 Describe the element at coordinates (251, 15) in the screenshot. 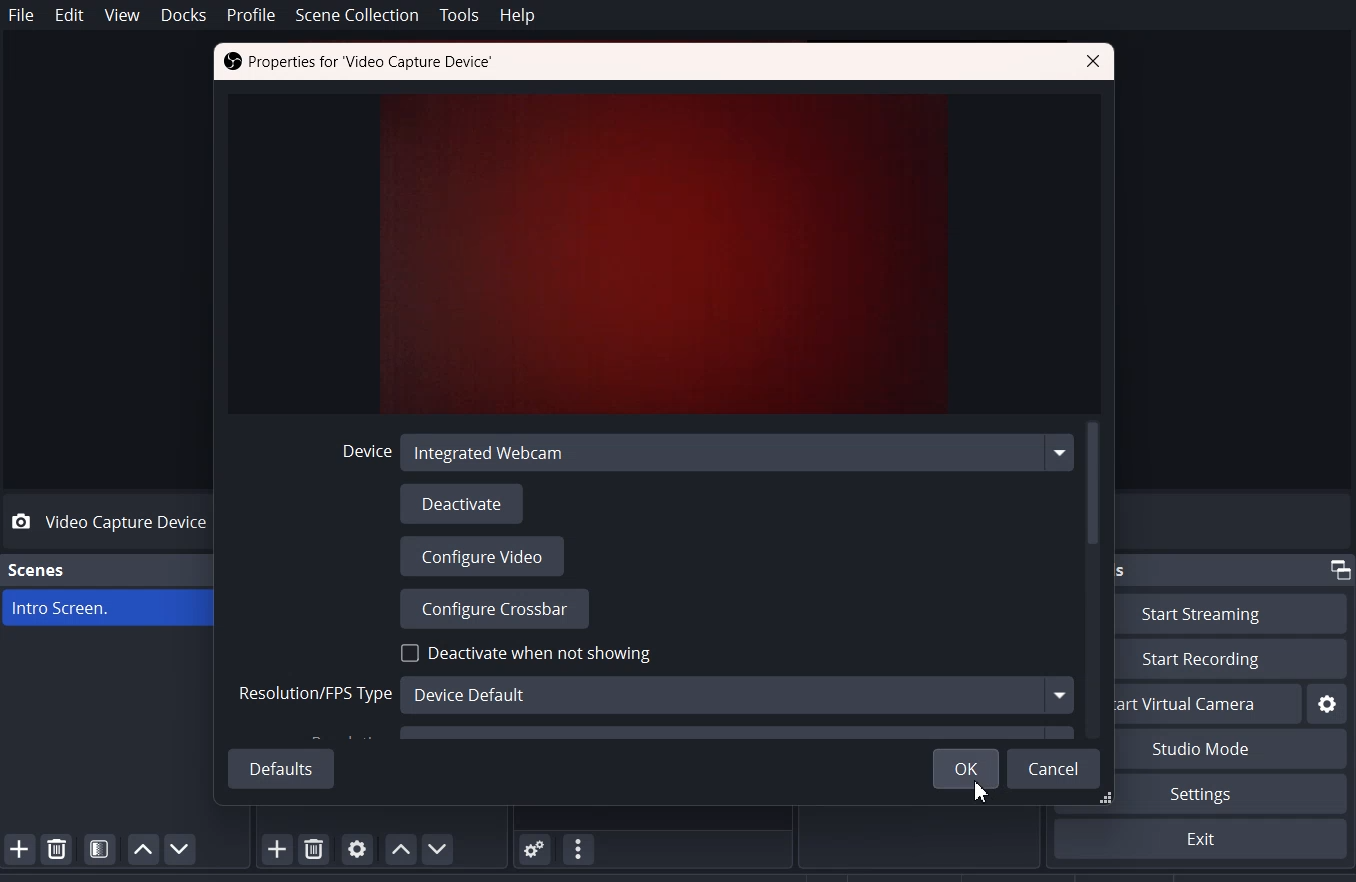

I see `Profile` at that location.